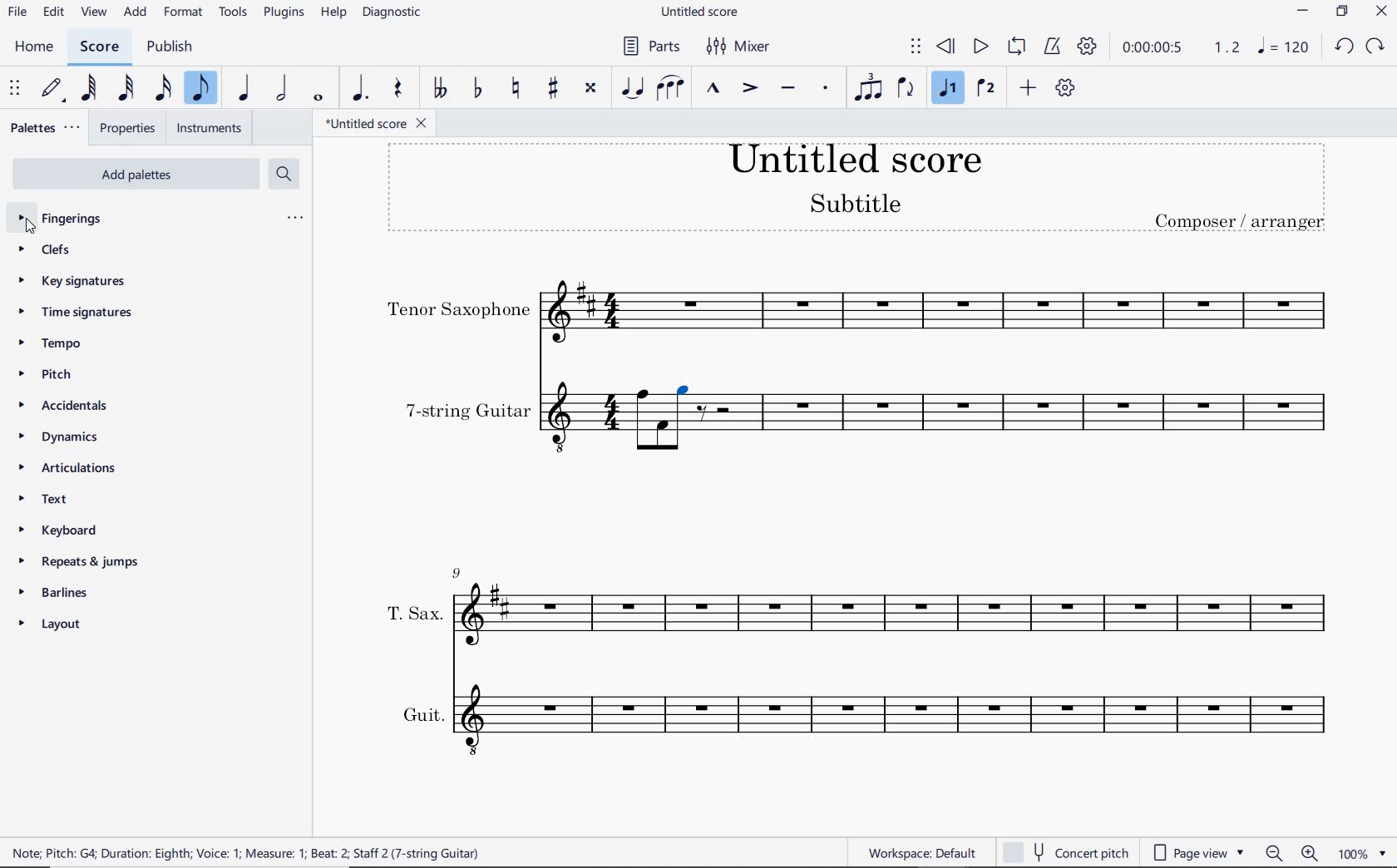  Describe the element at coordinates (163, 88) in the screenshot. I see `16TH NOTE` at that location.